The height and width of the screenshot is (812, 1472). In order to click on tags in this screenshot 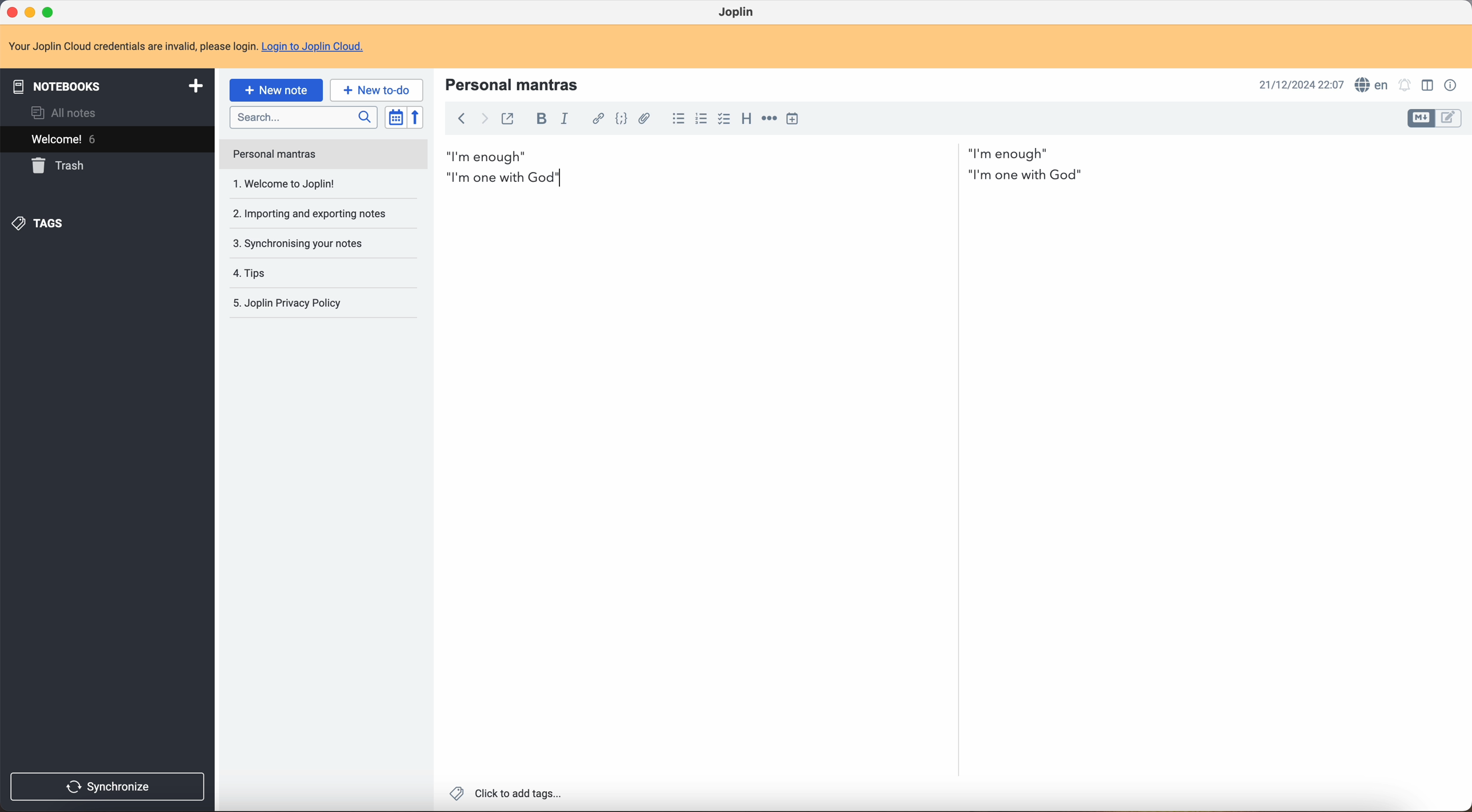, I will do `click(41, 225)`.